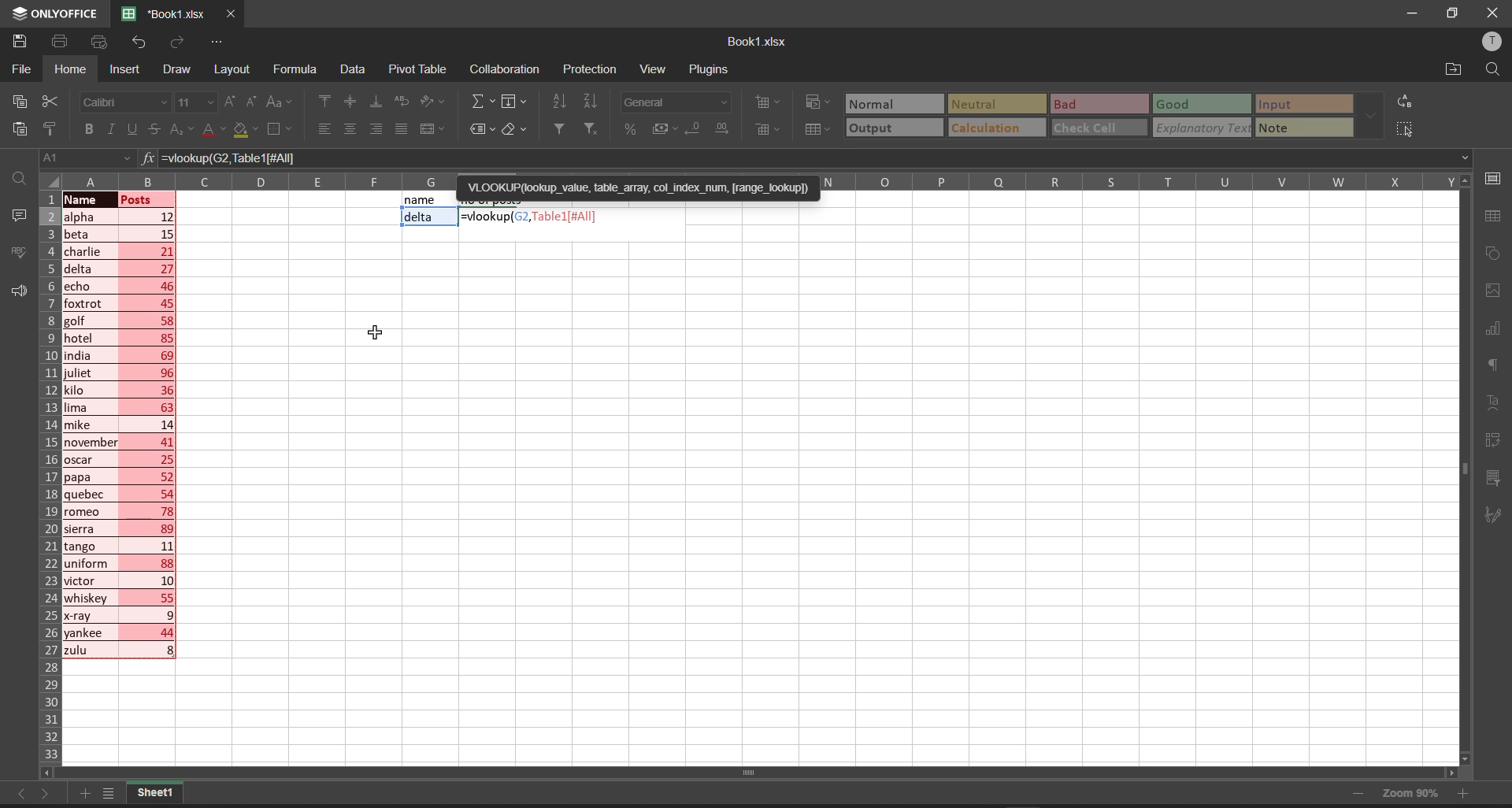 Image resolution: width=1512 pixels, height=808 pixels. I want to click on maximize, so click(1455, 14).